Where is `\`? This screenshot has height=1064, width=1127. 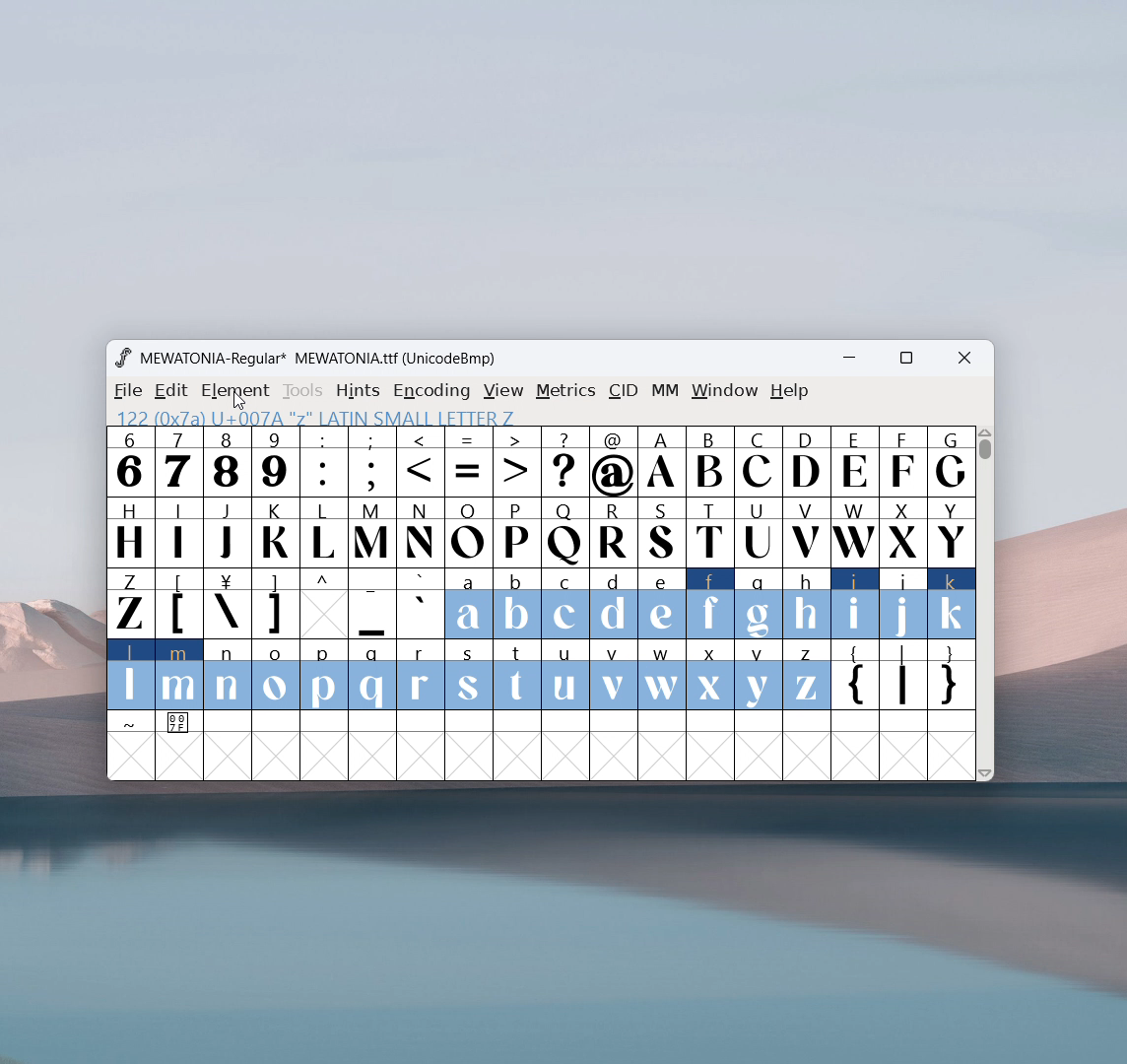 \ is located at coordinates (227, 604).